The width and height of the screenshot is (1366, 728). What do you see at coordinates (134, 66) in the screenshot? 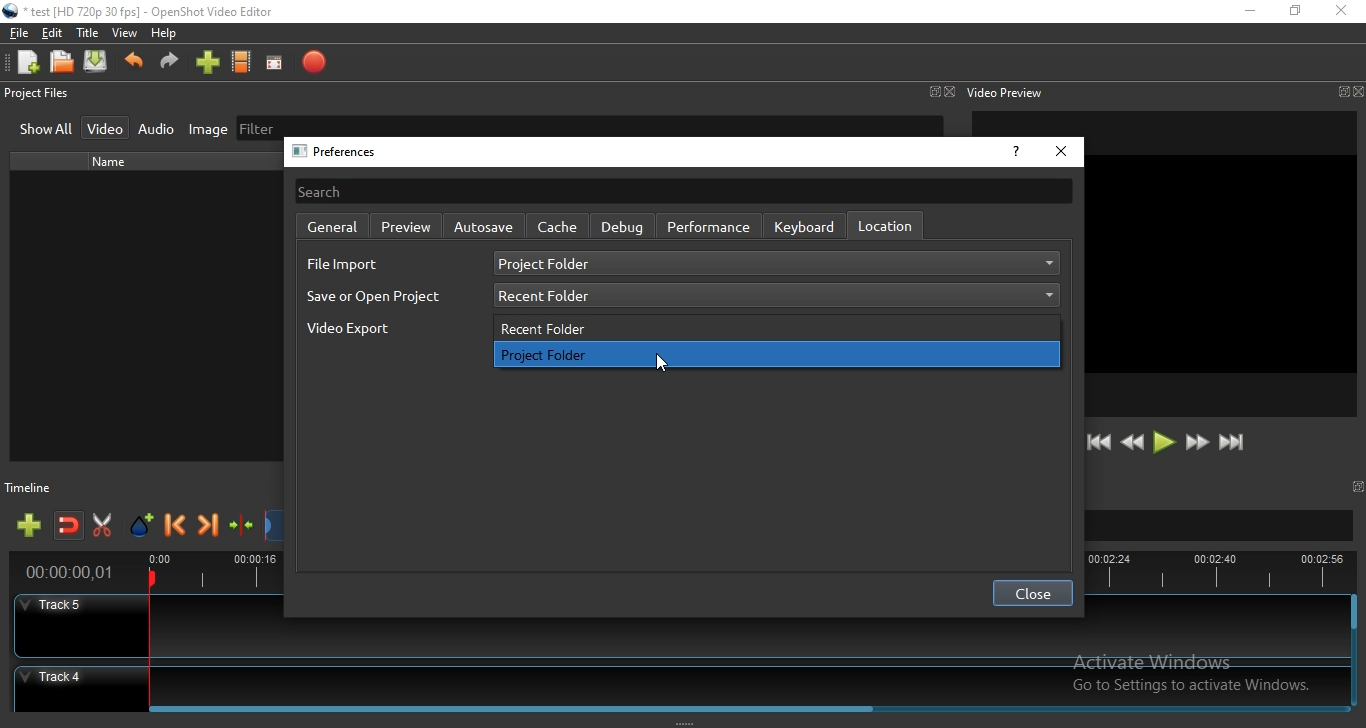
I see `Undo` at bounding box center [134, 66].